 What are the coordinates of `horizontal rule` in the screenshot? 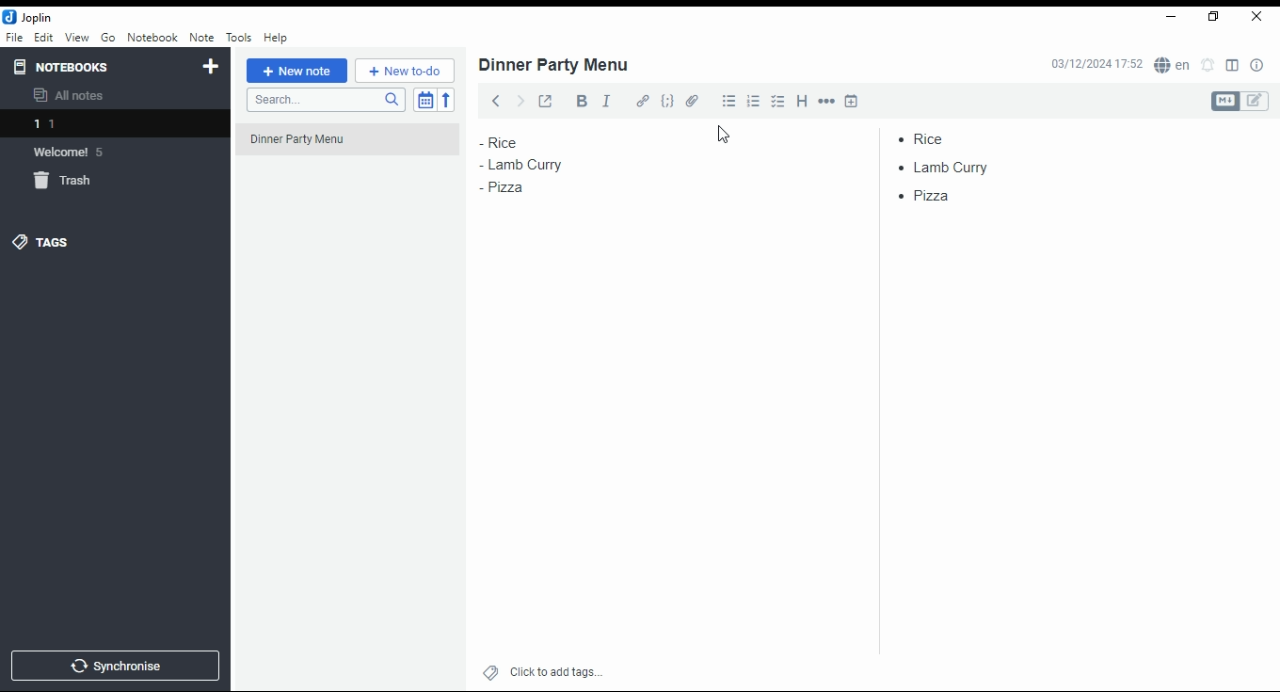 It's located at (825, 100).